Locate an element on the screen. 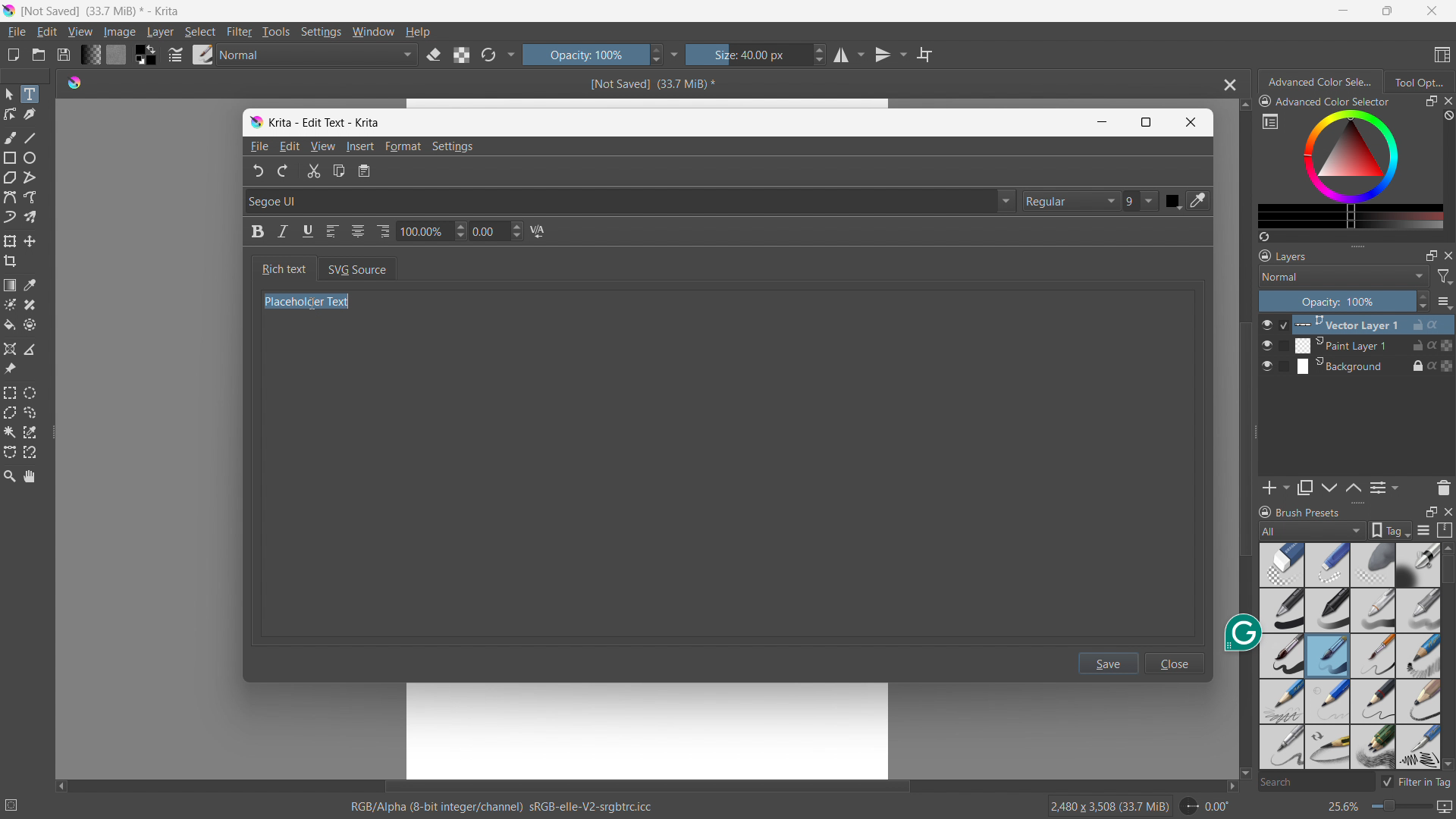  opacity control is located at coordinates (592, 54).